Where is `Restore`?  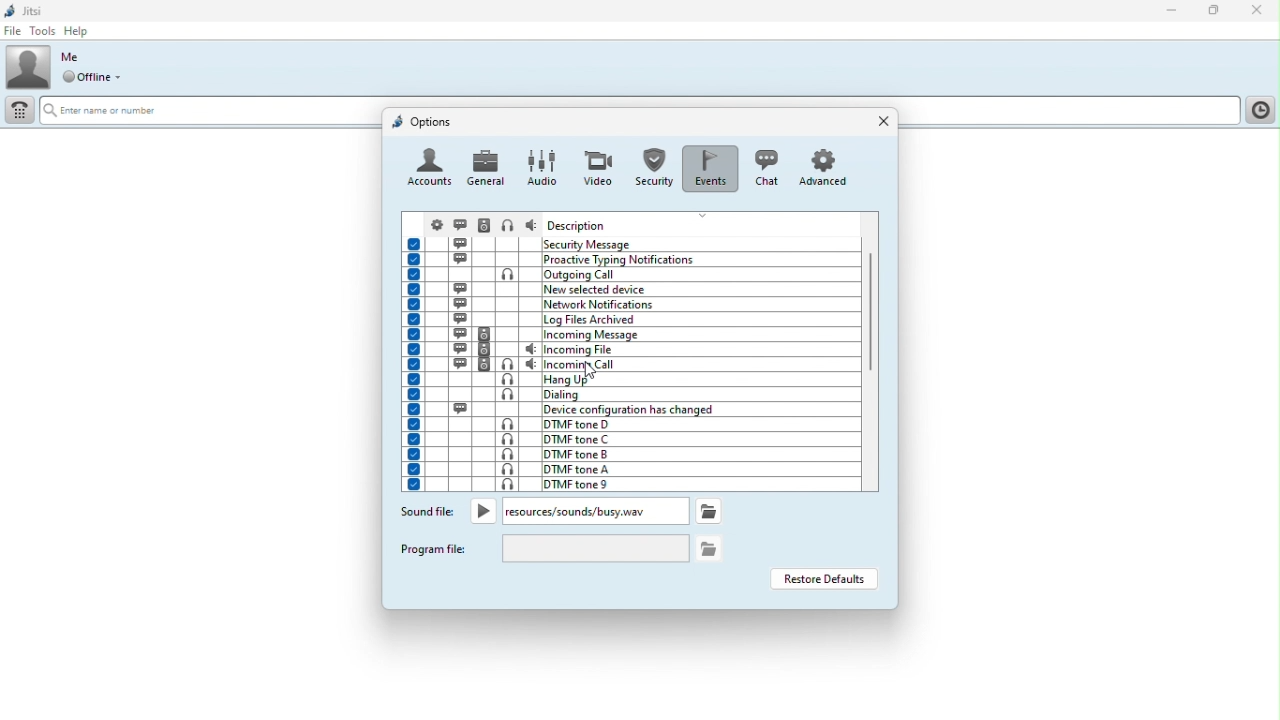
Restore is located at coordinates (1215, 12).